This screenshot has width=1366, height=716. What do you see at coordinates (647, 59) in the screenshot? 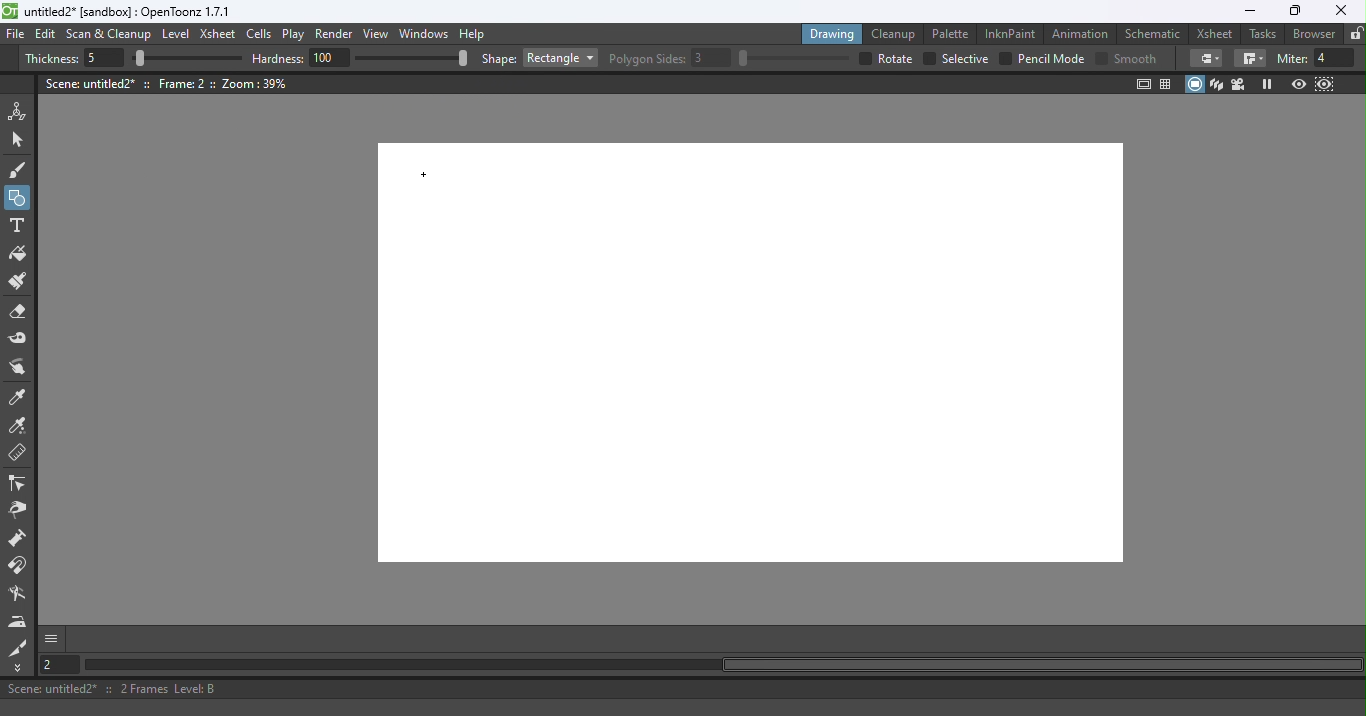
I see `Polygon slides` at bounding box center [647, 59].